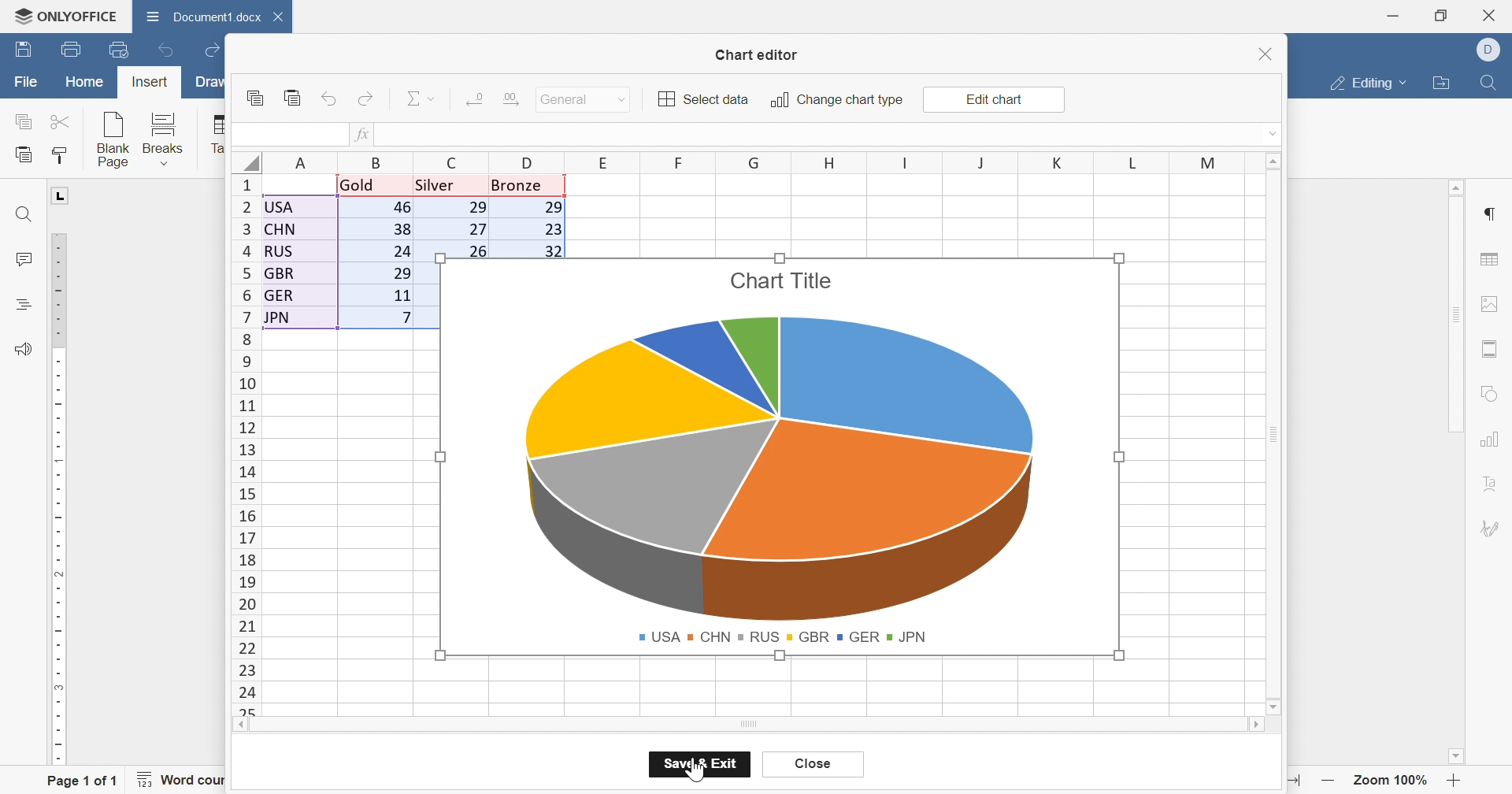 The width and height of the screenshot is (1512, 794). I want to click on 27, so click(473, 228).